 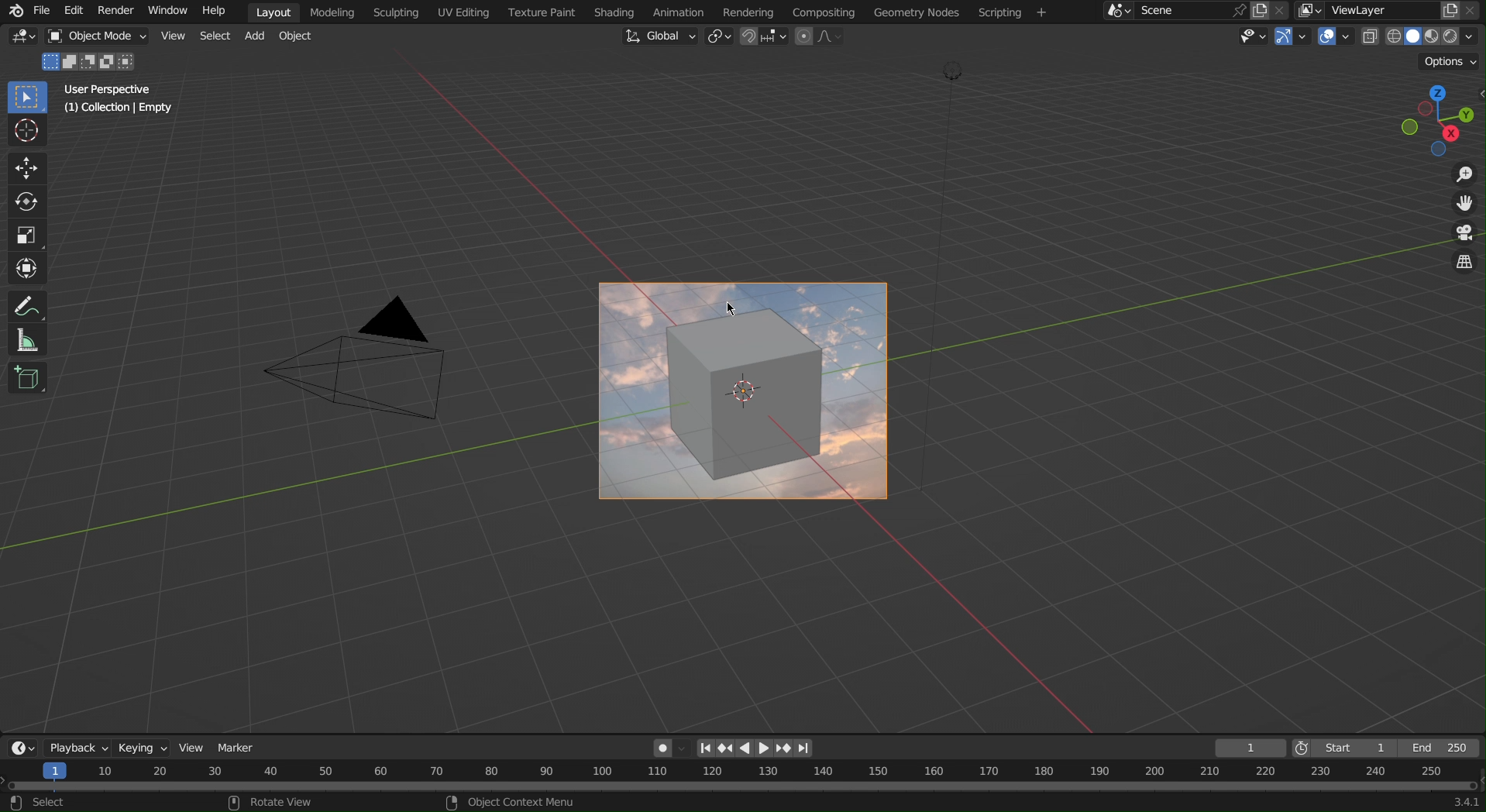 What do you see at coordinates (824, 37) in the screenshot?
I see `Proportional Editing` at bounding box center [824, 37].